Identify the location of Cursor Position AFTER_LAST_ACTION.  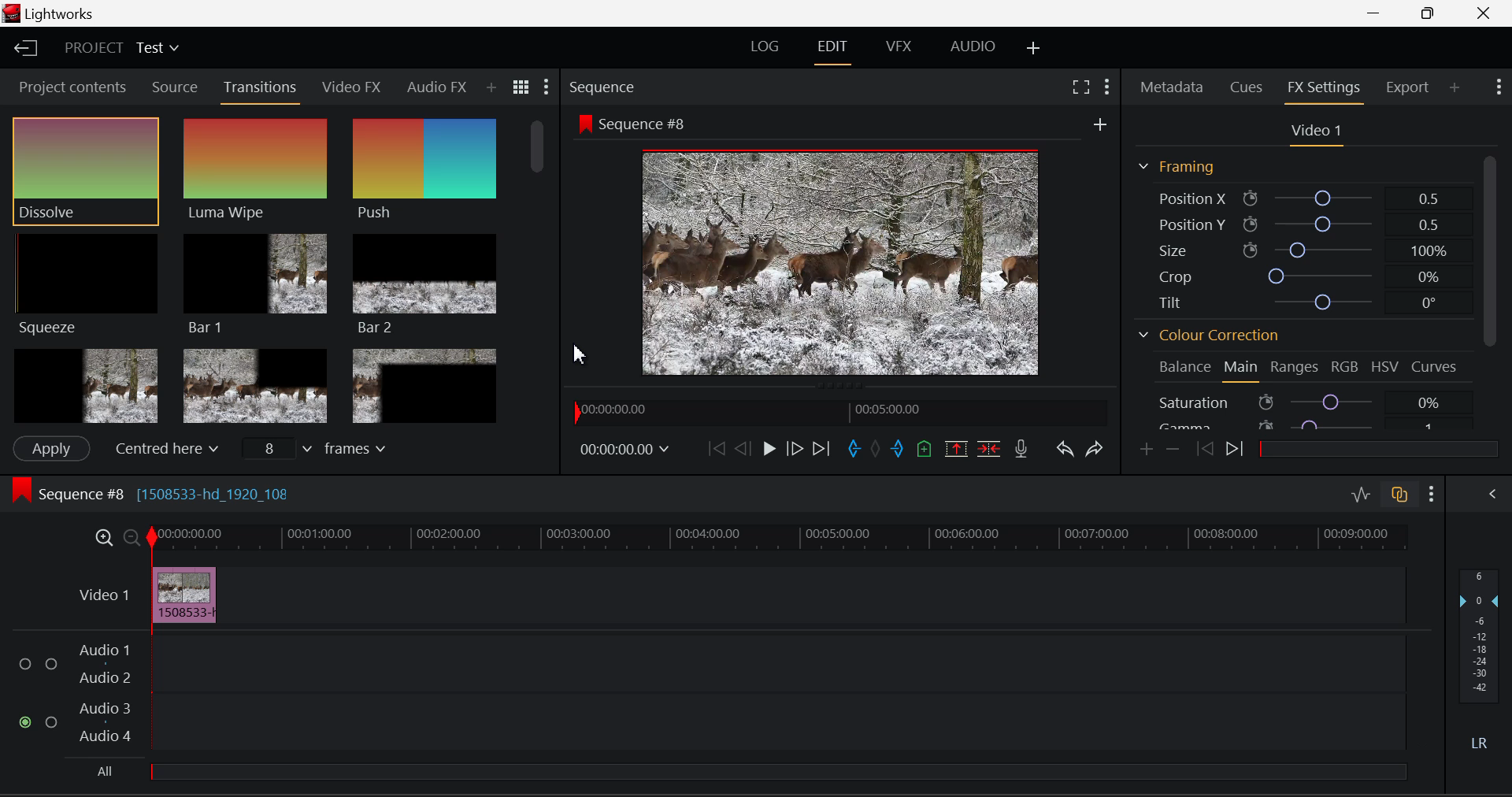
(582, 350).